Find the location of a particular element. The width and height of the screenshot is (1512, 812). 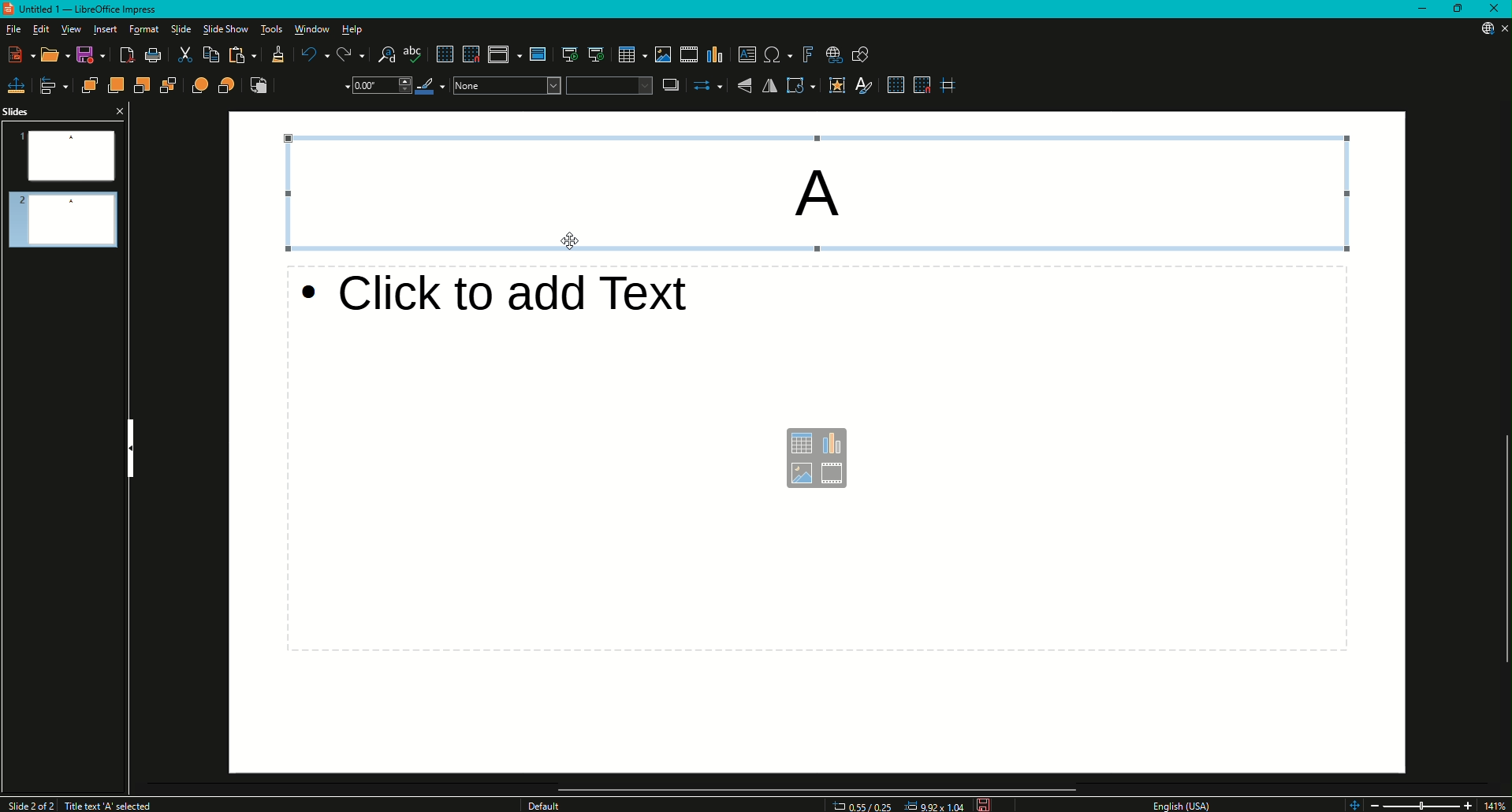

Insert Chart is located at coordinates (716, 54).